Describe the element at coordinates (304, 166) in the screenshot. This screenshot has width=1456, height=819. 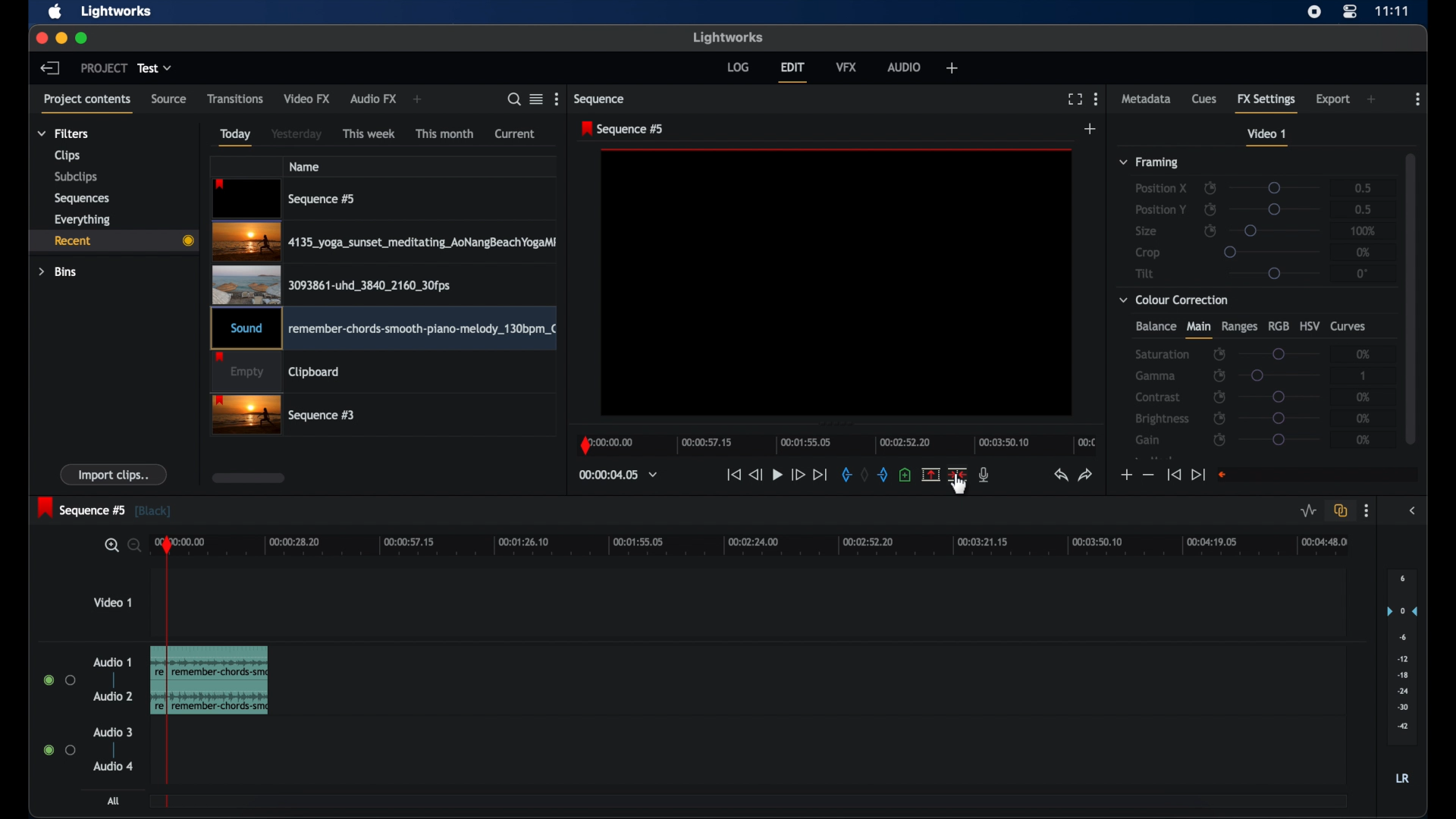
I see `name` at that location.